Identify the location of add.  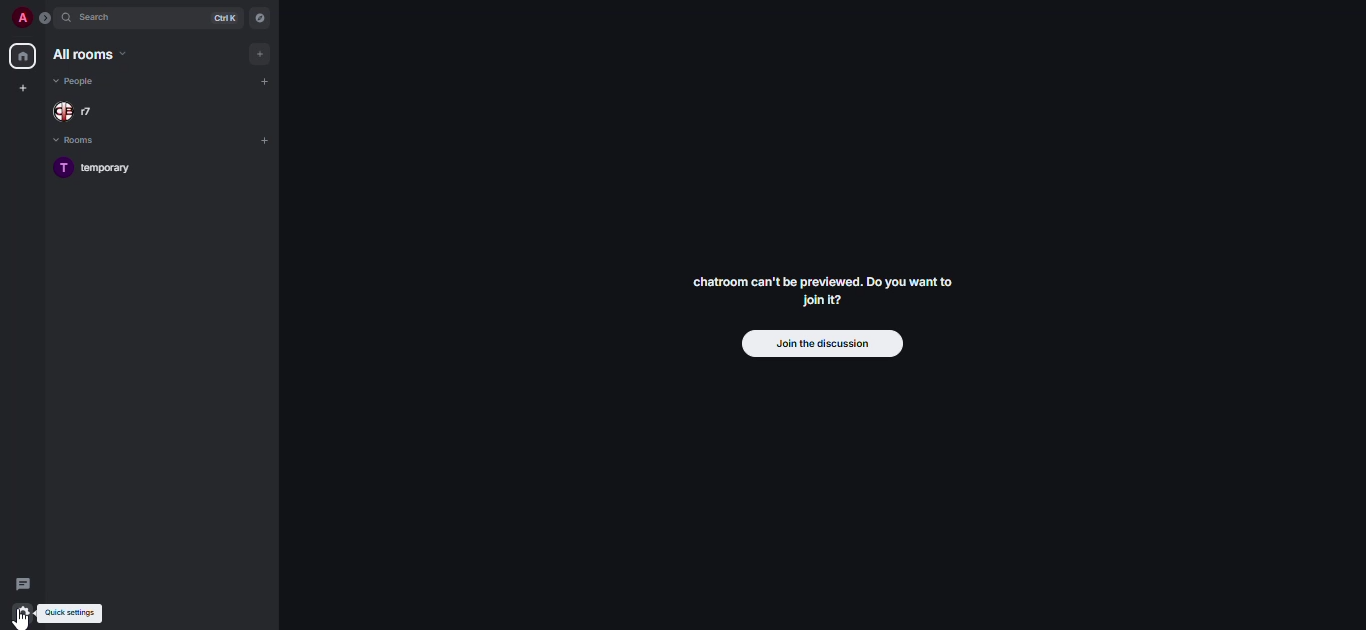
(258, 54).